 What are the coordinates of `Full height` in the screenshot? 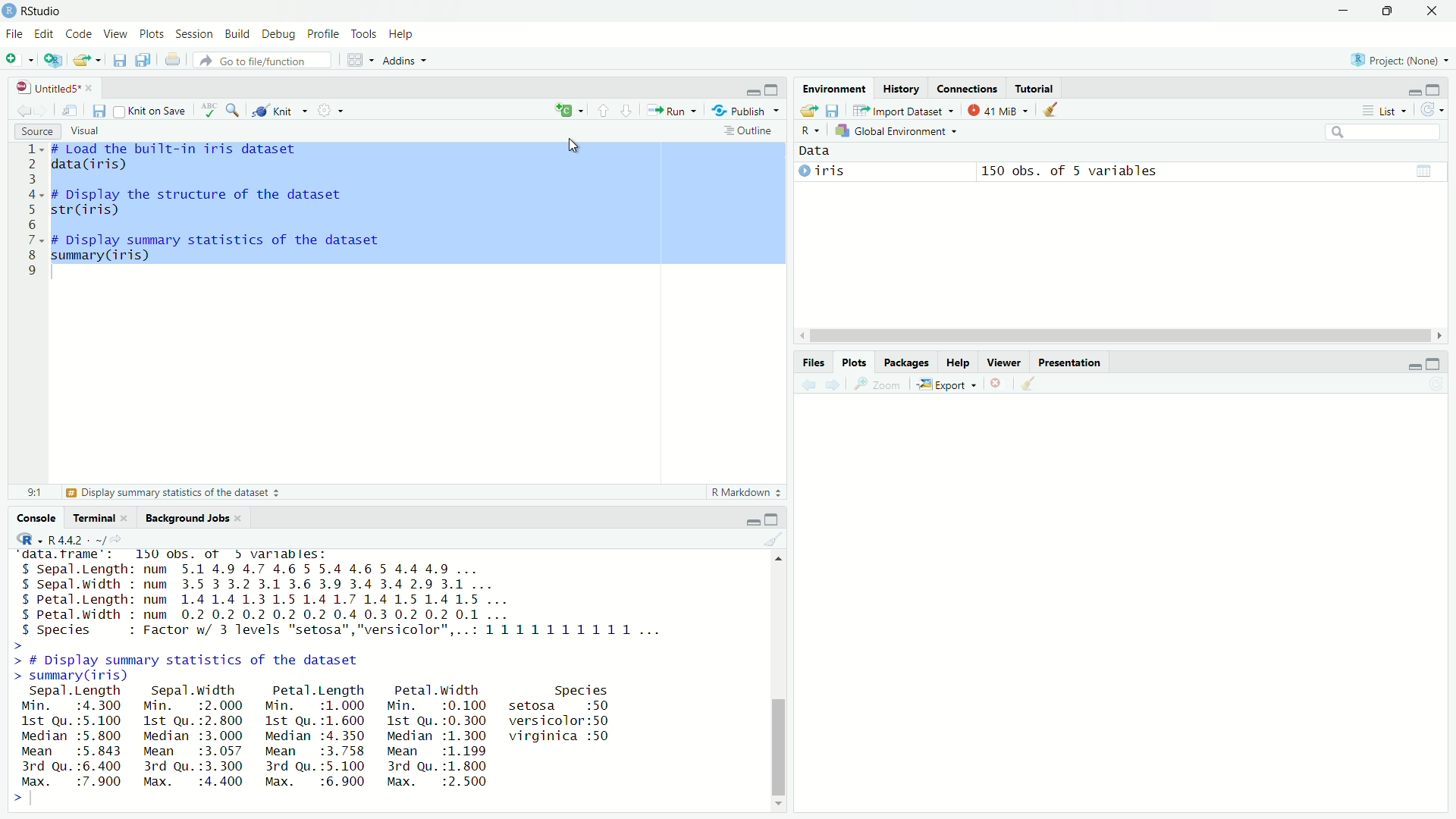 It's located at (772, 89).